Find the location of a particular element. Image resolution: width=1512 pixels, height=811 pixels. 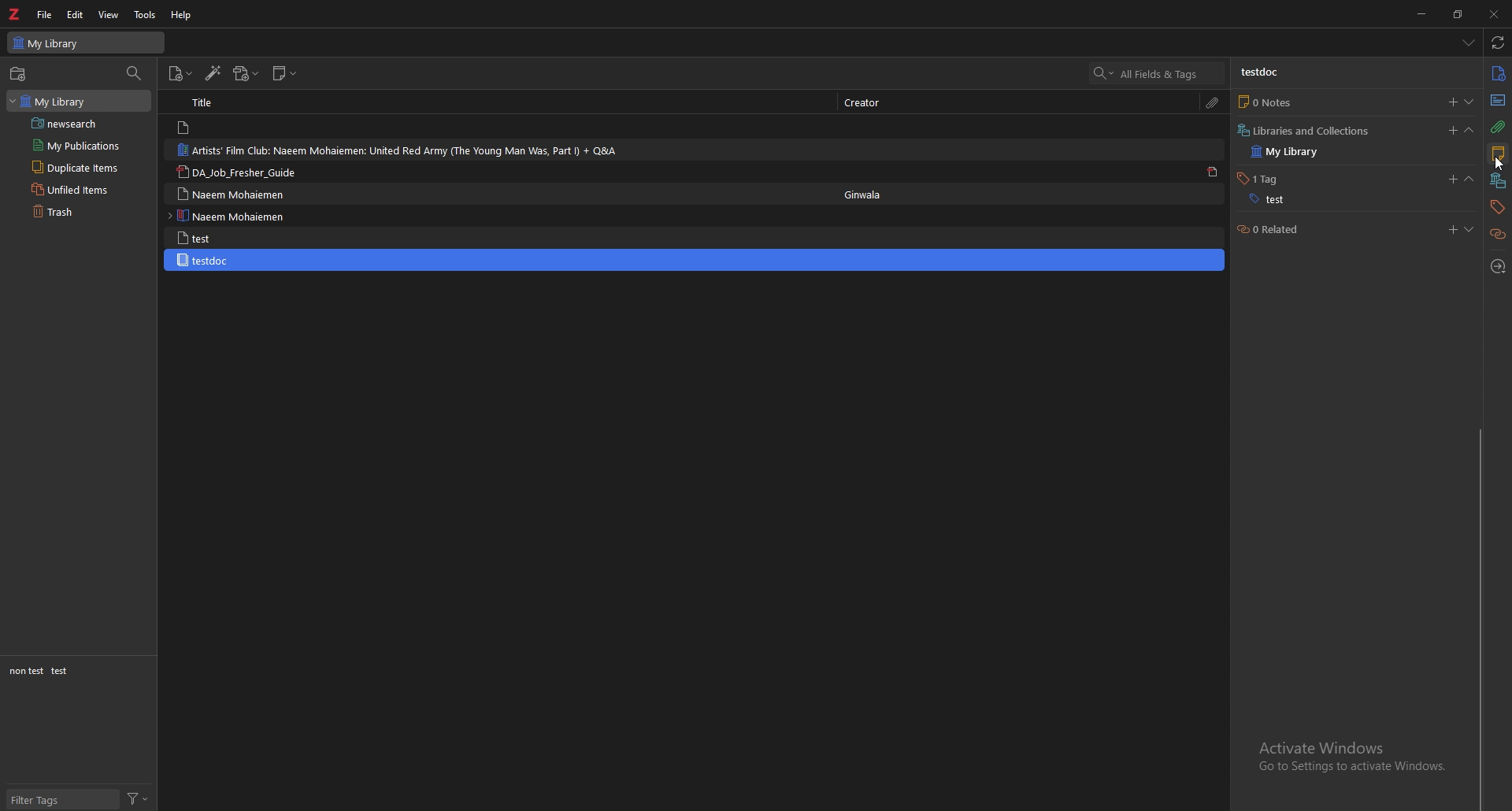

note is located at coordinates (217, 128).